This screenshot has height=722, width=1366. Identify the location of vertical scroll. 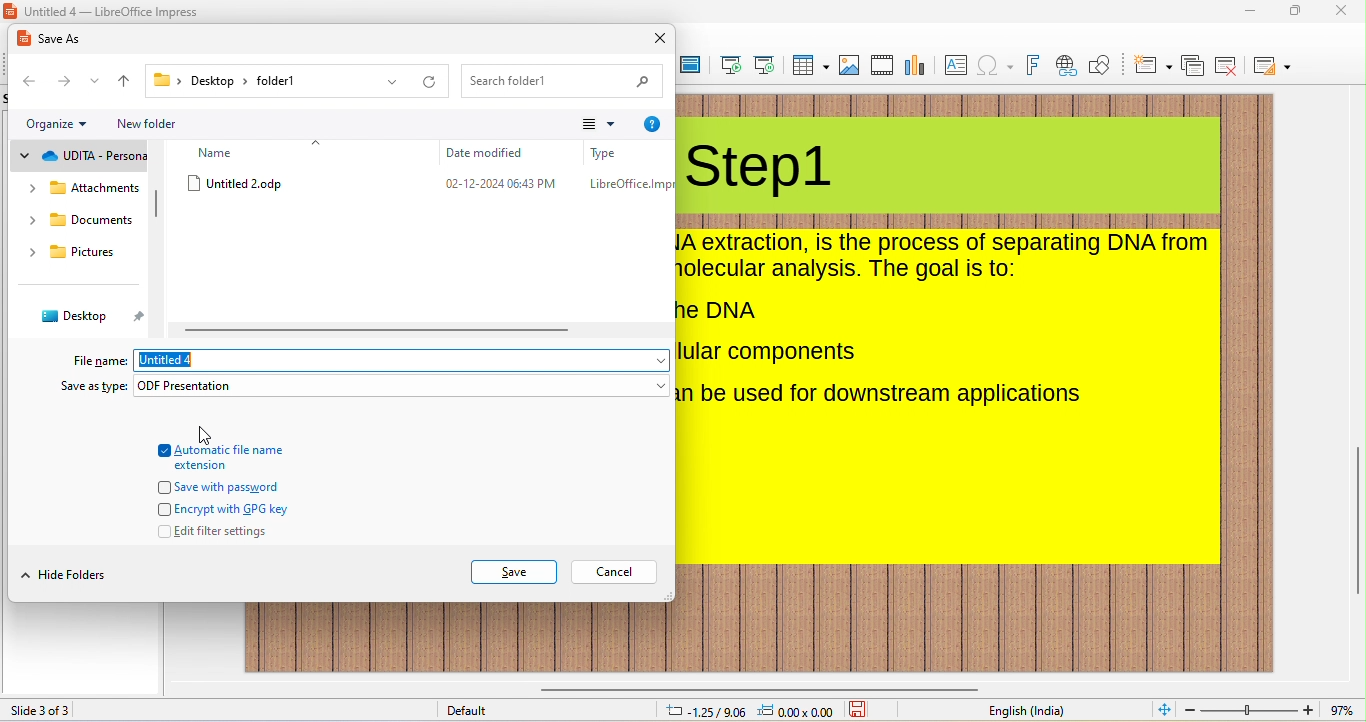
(159, 206).